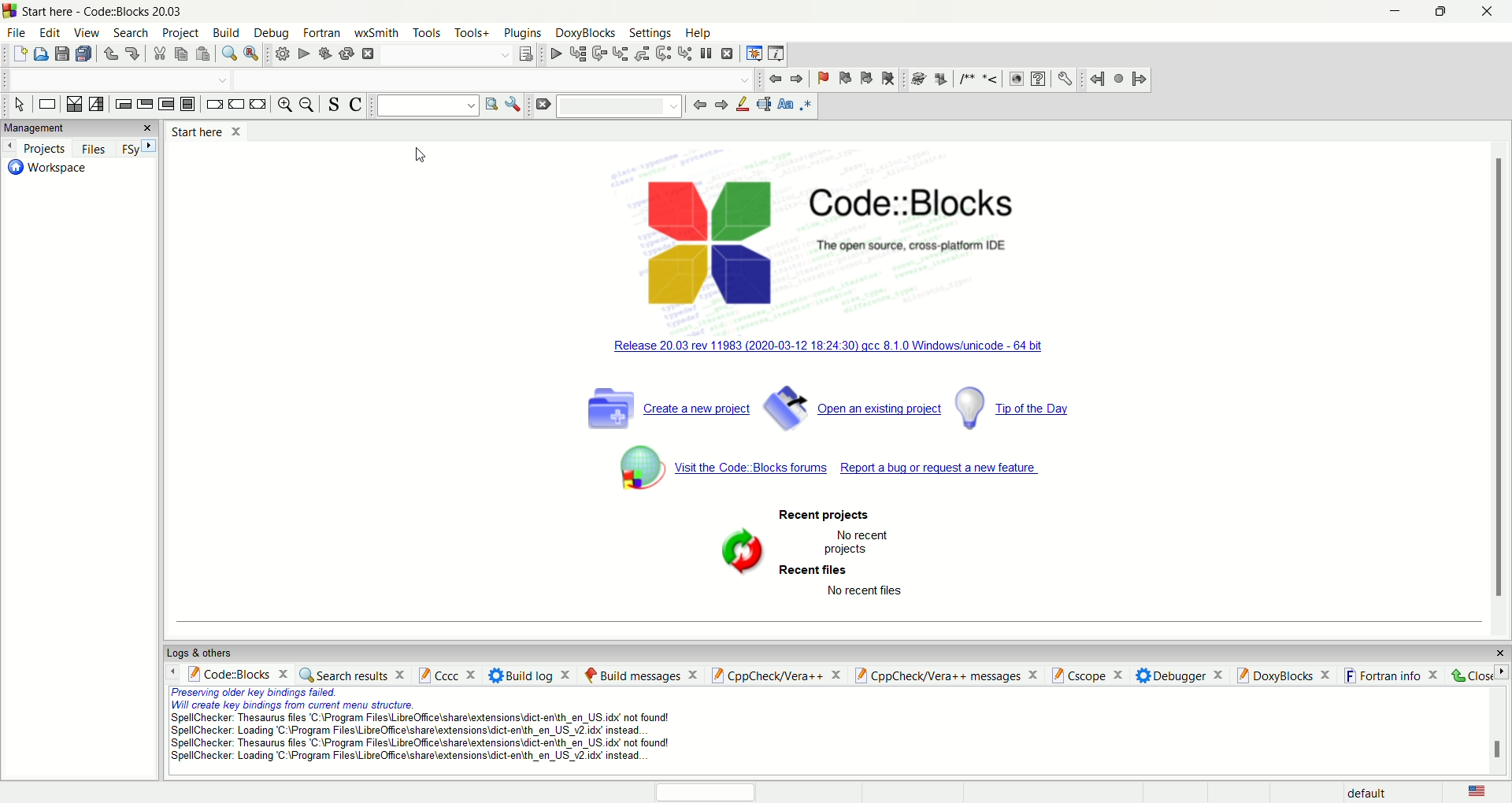 This screenshot has height=803, width=1512. I want to click on No recent projects, so click(854, 544).